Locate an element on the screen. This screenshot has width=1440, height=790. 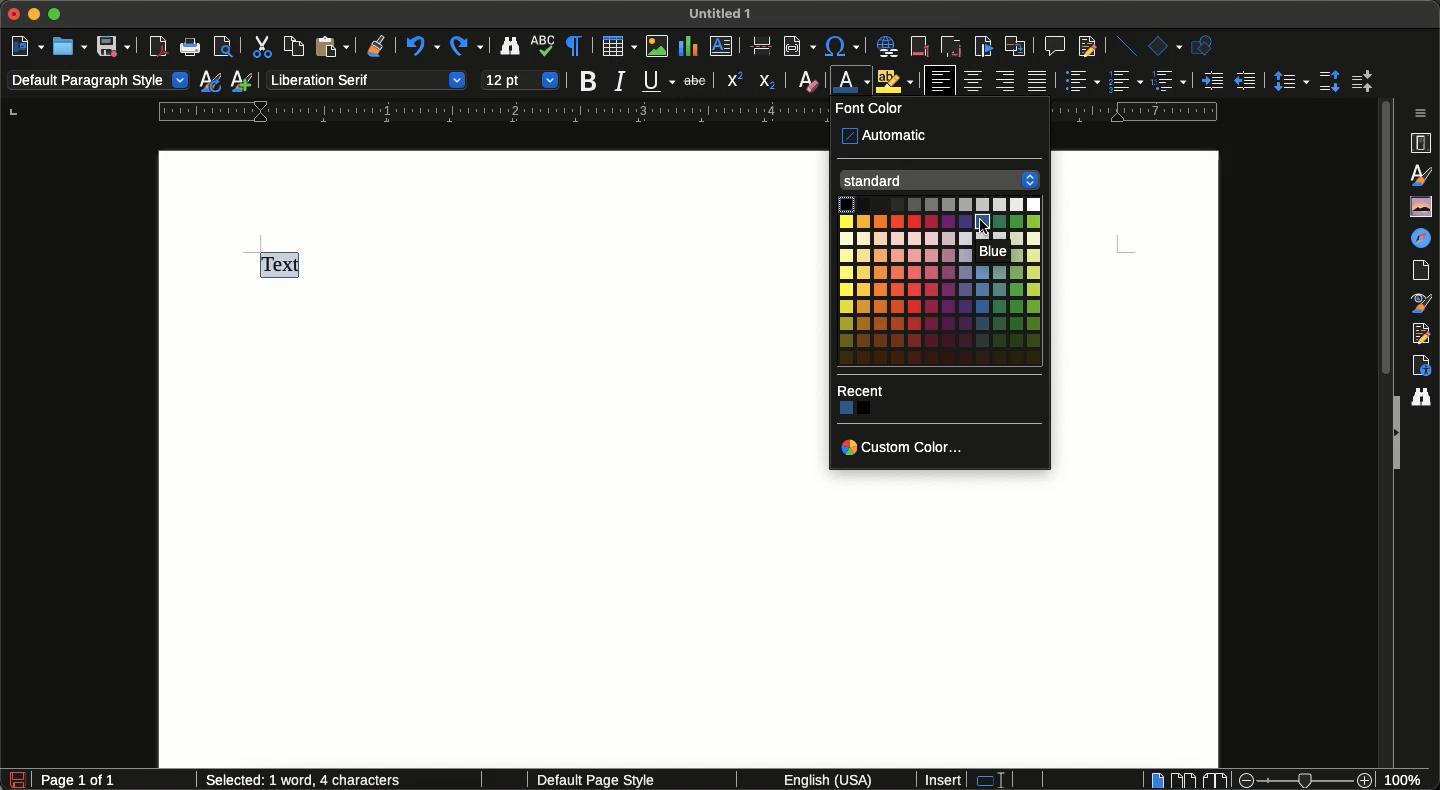
Insert is located at coordinates (944, 780).